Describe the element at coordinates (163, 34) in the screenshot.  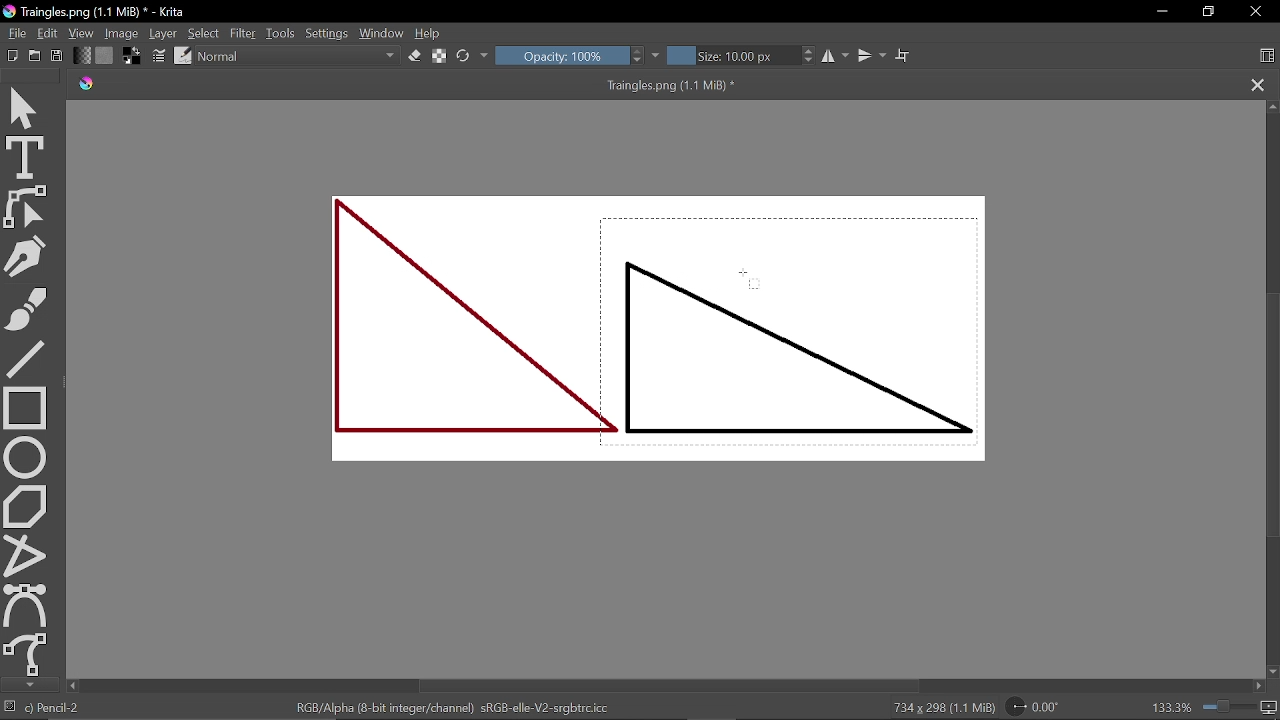
I see `Layer` at that location.